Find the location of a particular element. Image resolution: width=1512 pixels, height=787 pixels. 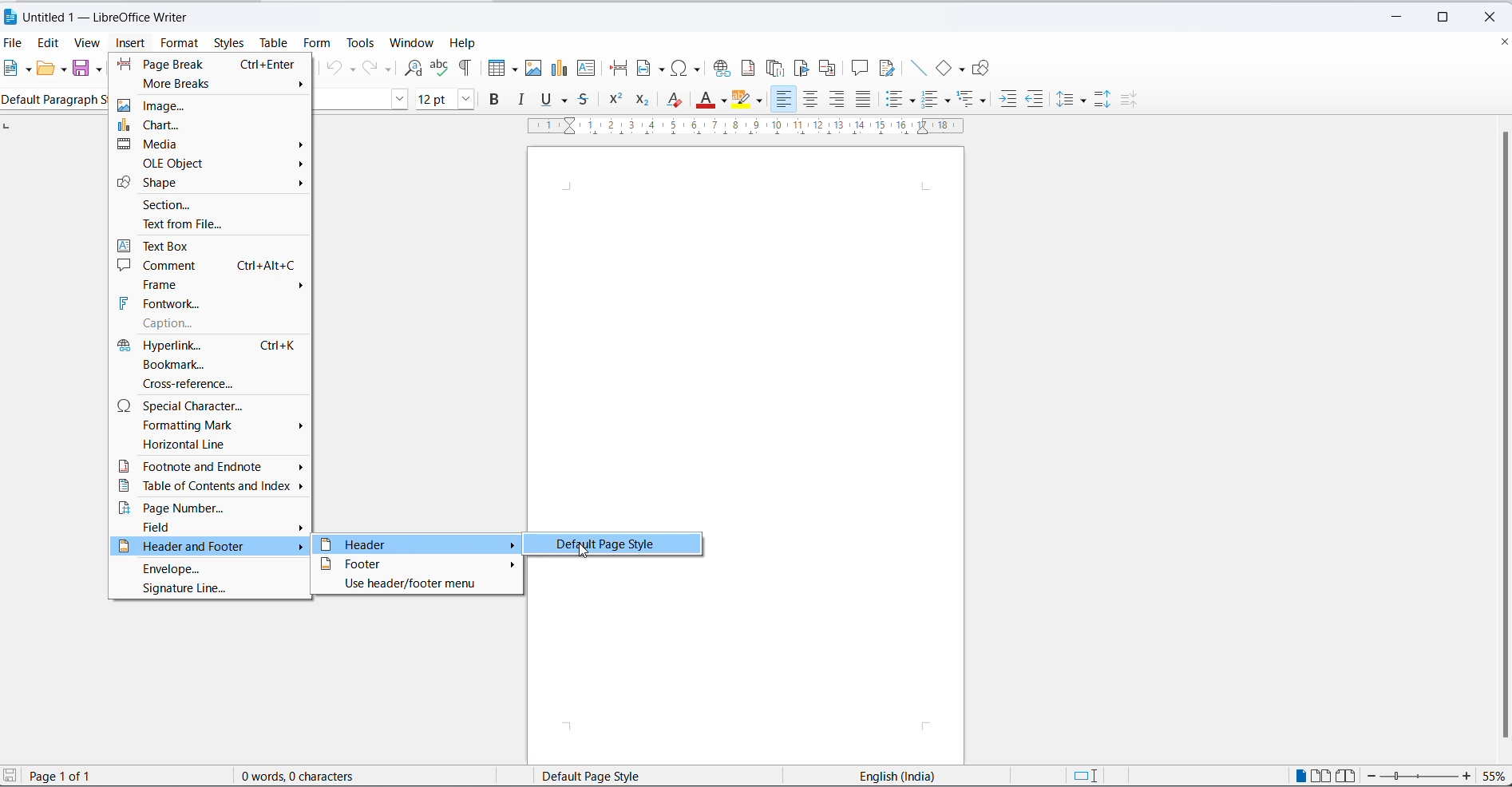

table grid is located at coordinates (513, 69).